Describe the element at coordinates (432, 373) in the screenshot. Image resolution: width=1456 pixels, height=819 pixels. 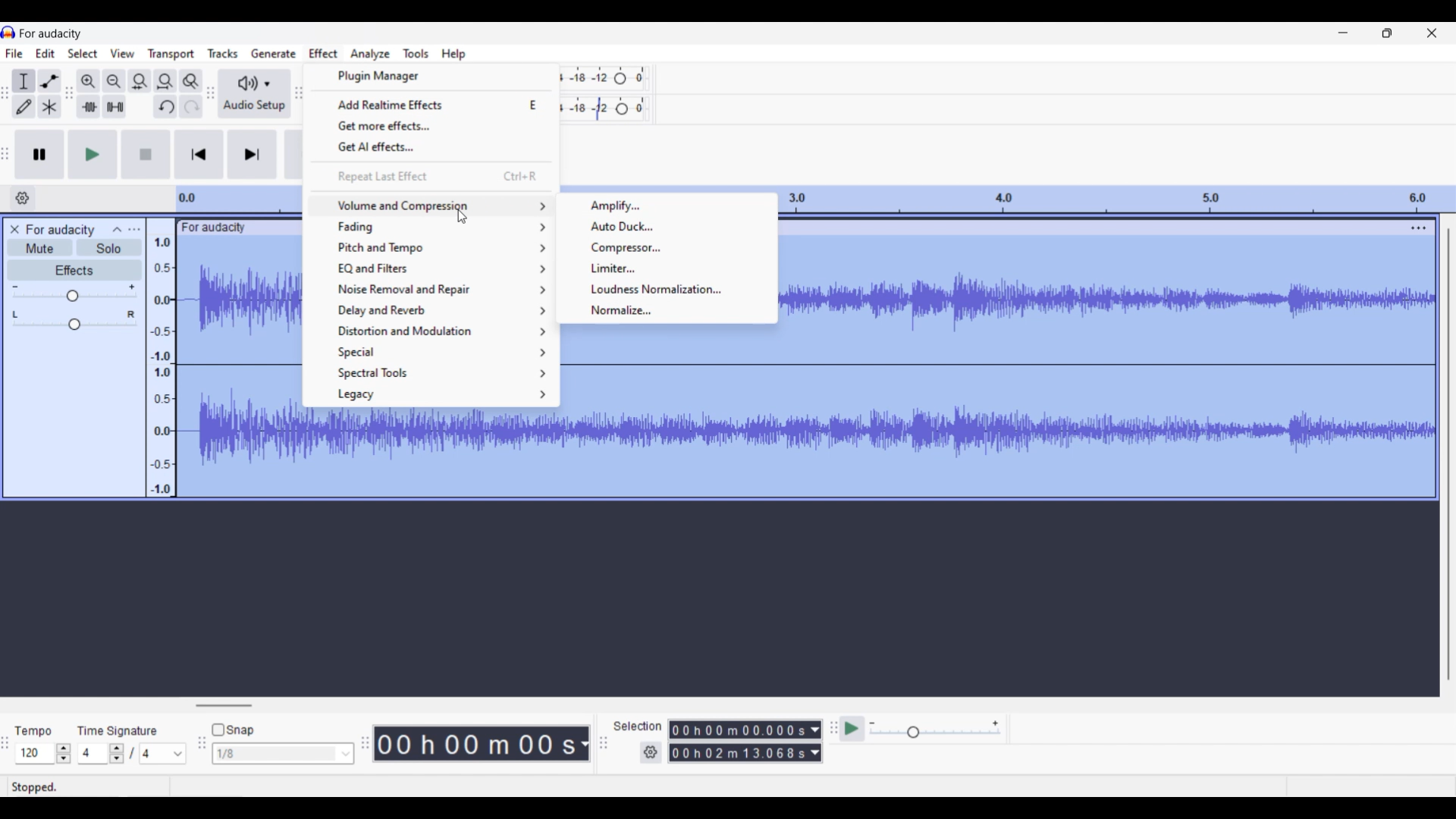
I see `Spectral tool` at that location.